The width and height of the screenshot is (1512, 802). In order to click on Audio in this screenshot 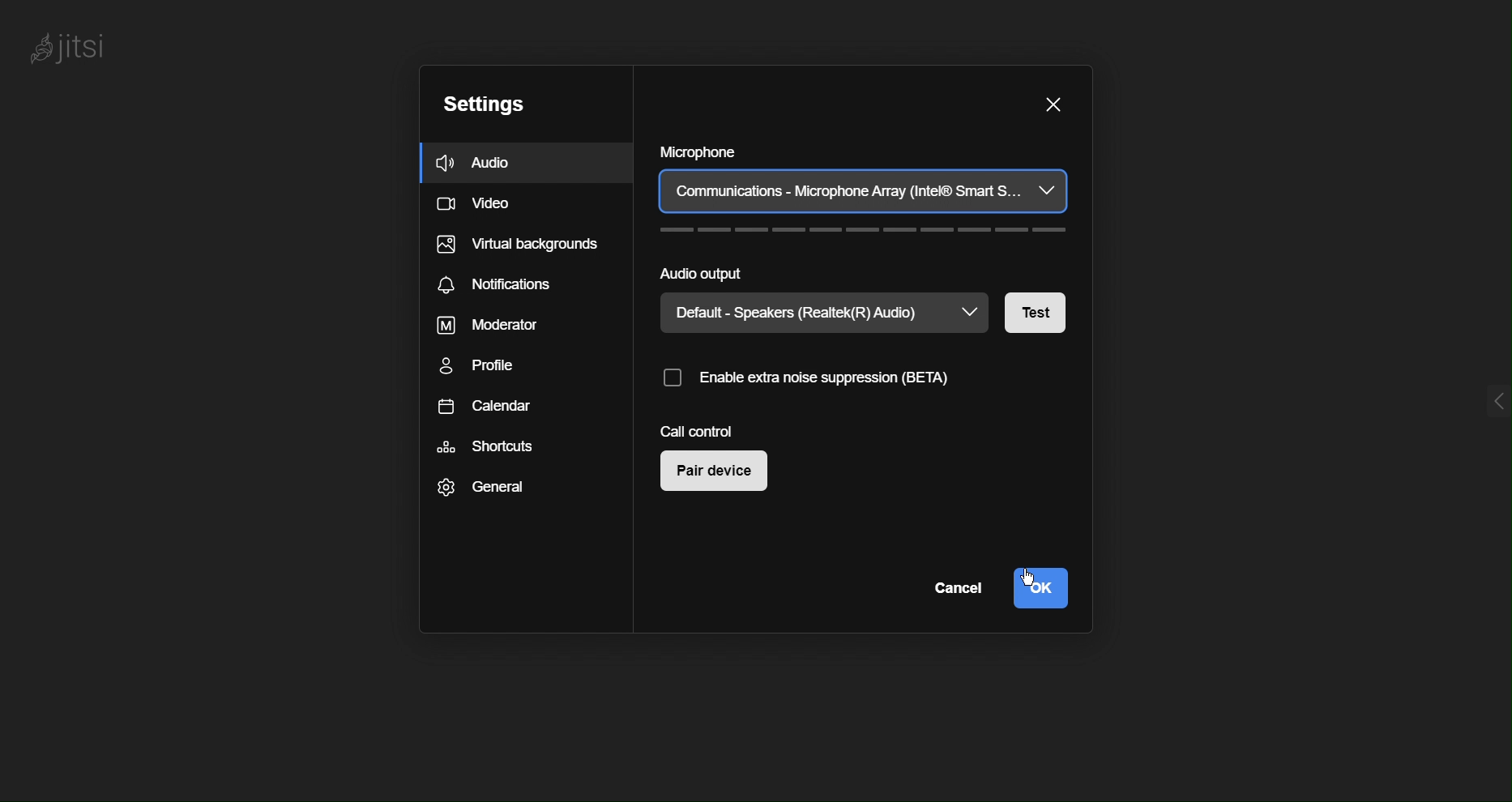, I will do `click(483, 164)`.